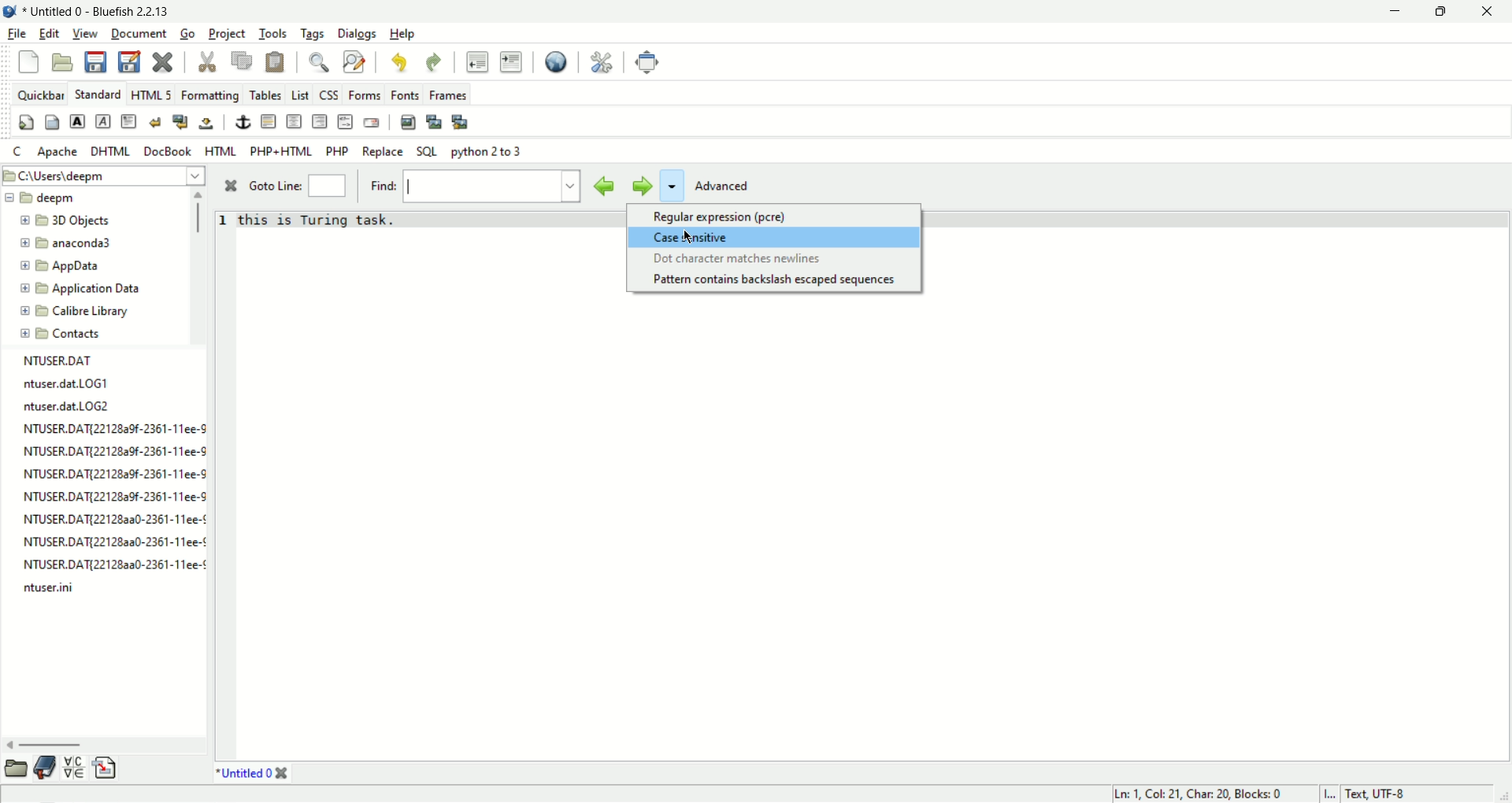 The width and height of the screenshot is (1512, 803). Describe the element at coordinates (277, 187) in the screenshot. I see `Goto Line:` at that location.